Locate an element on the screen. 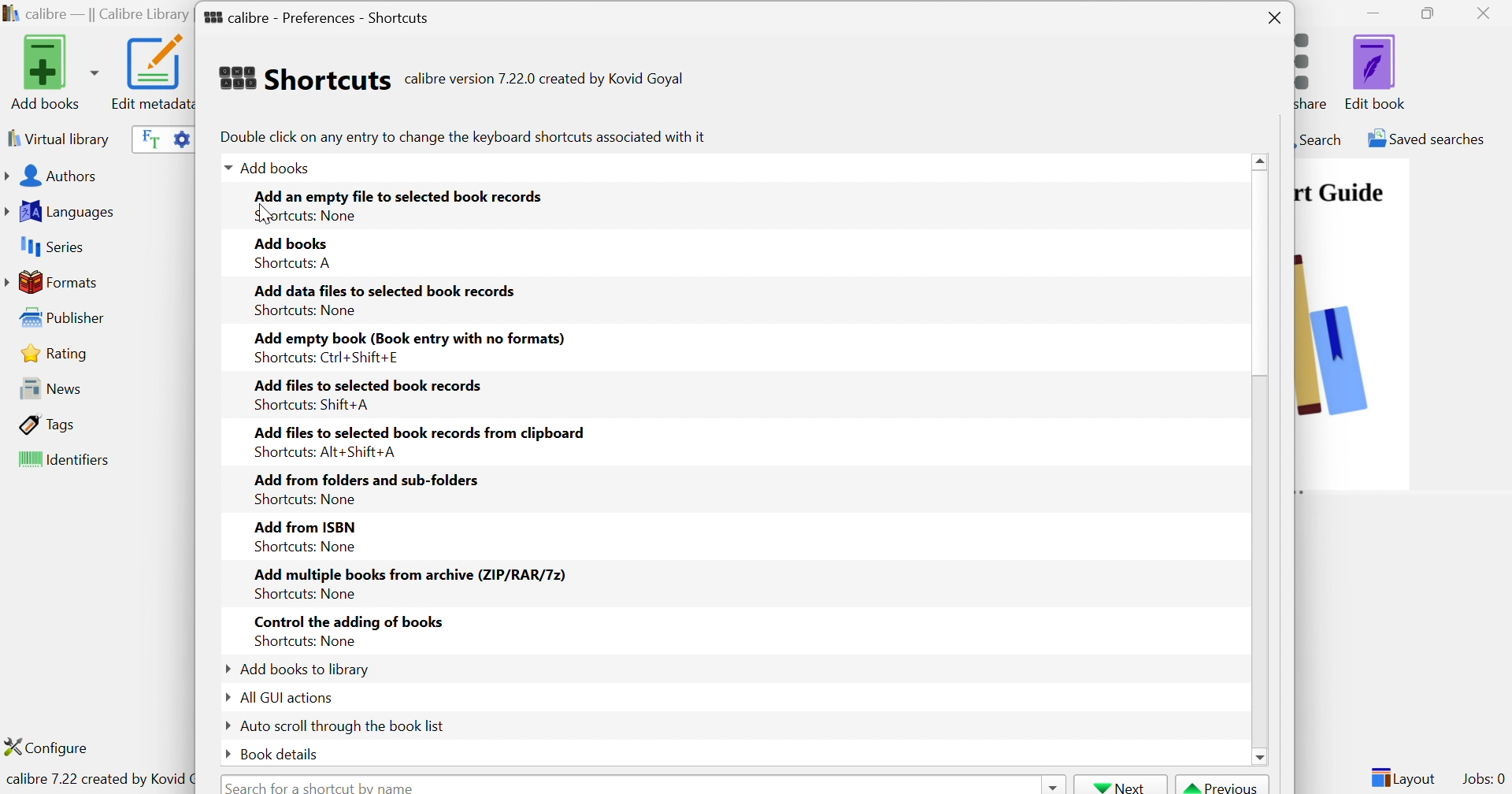  Shortcuts: None is located at coordinates (305, 547).